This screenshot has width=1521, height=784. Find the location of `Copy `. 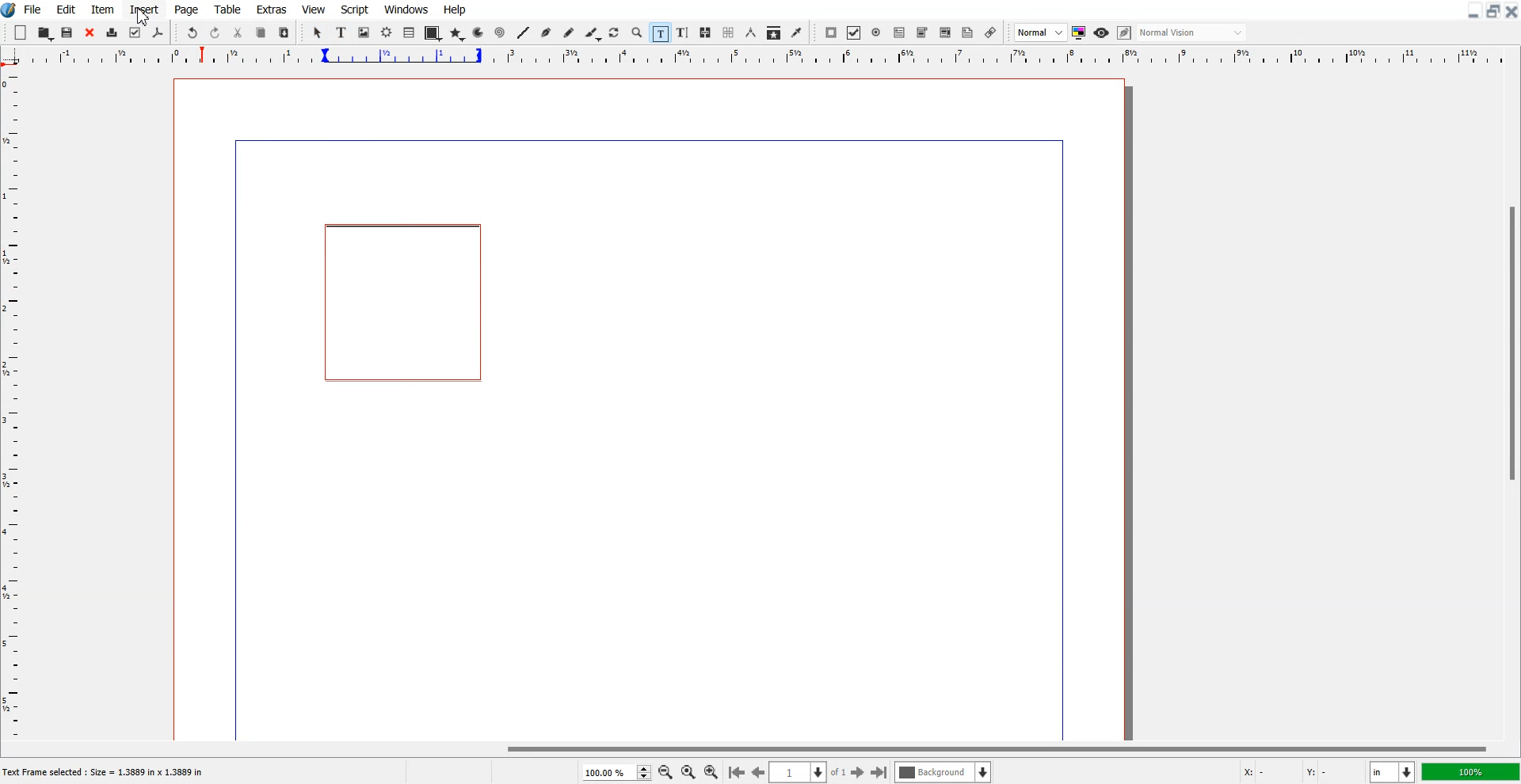

Copy  is located at coordinates (261, 33).